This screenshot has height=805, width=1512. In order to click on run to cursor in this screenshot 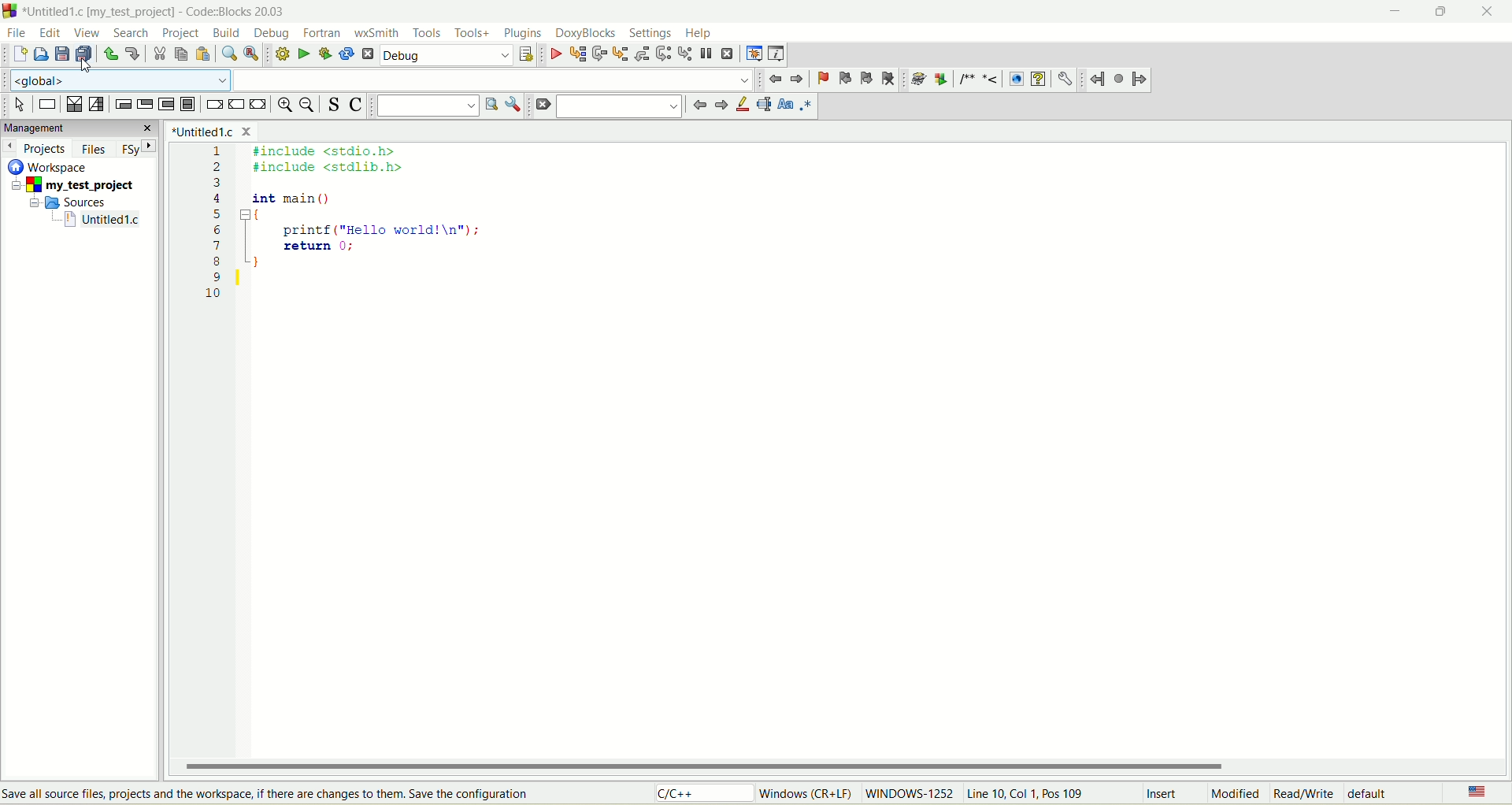, I will do `click(578, 54)`.